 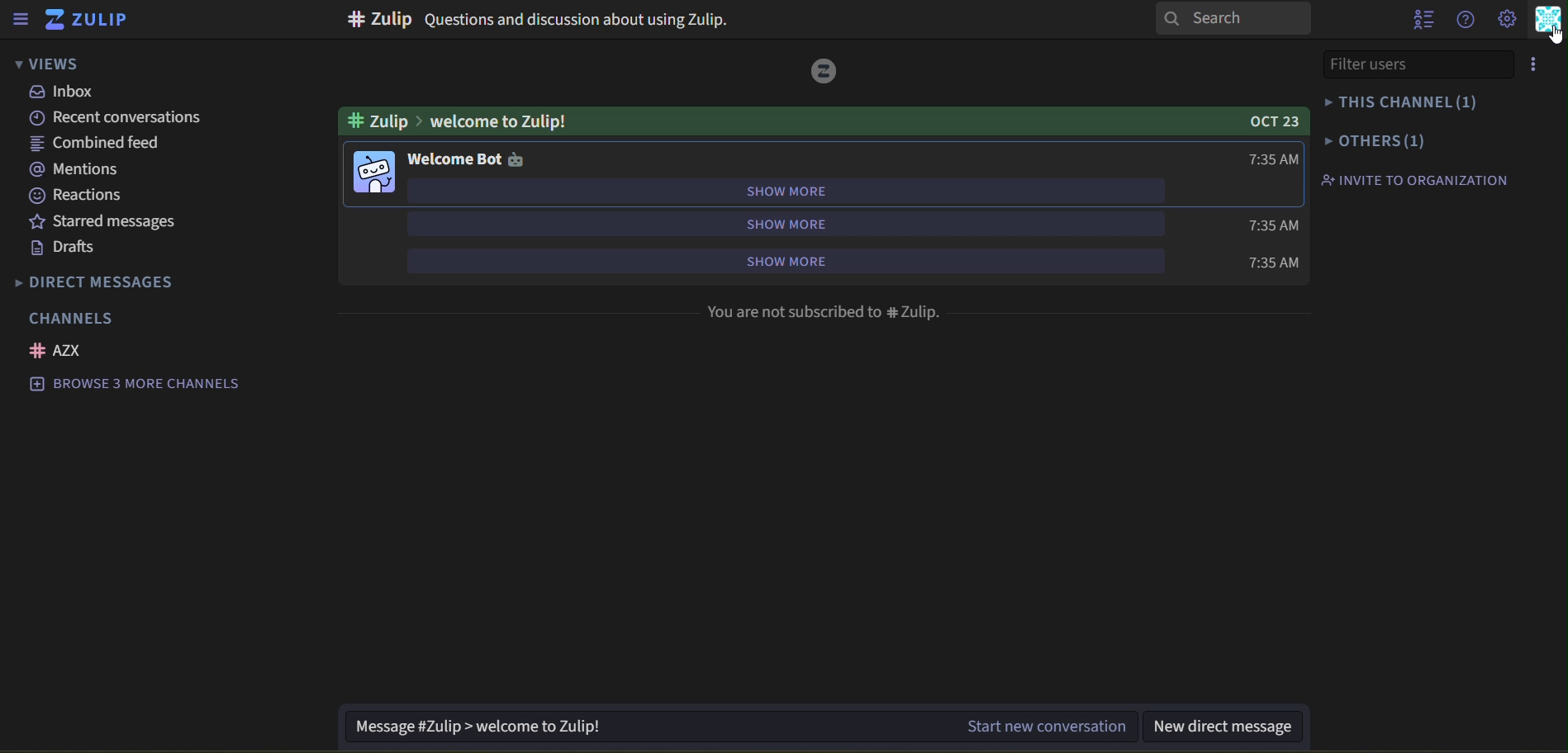 What do you see at coordinates (1419, 22) in the screenshot?
I see `hide user list` at bounding box center [1419, 22].